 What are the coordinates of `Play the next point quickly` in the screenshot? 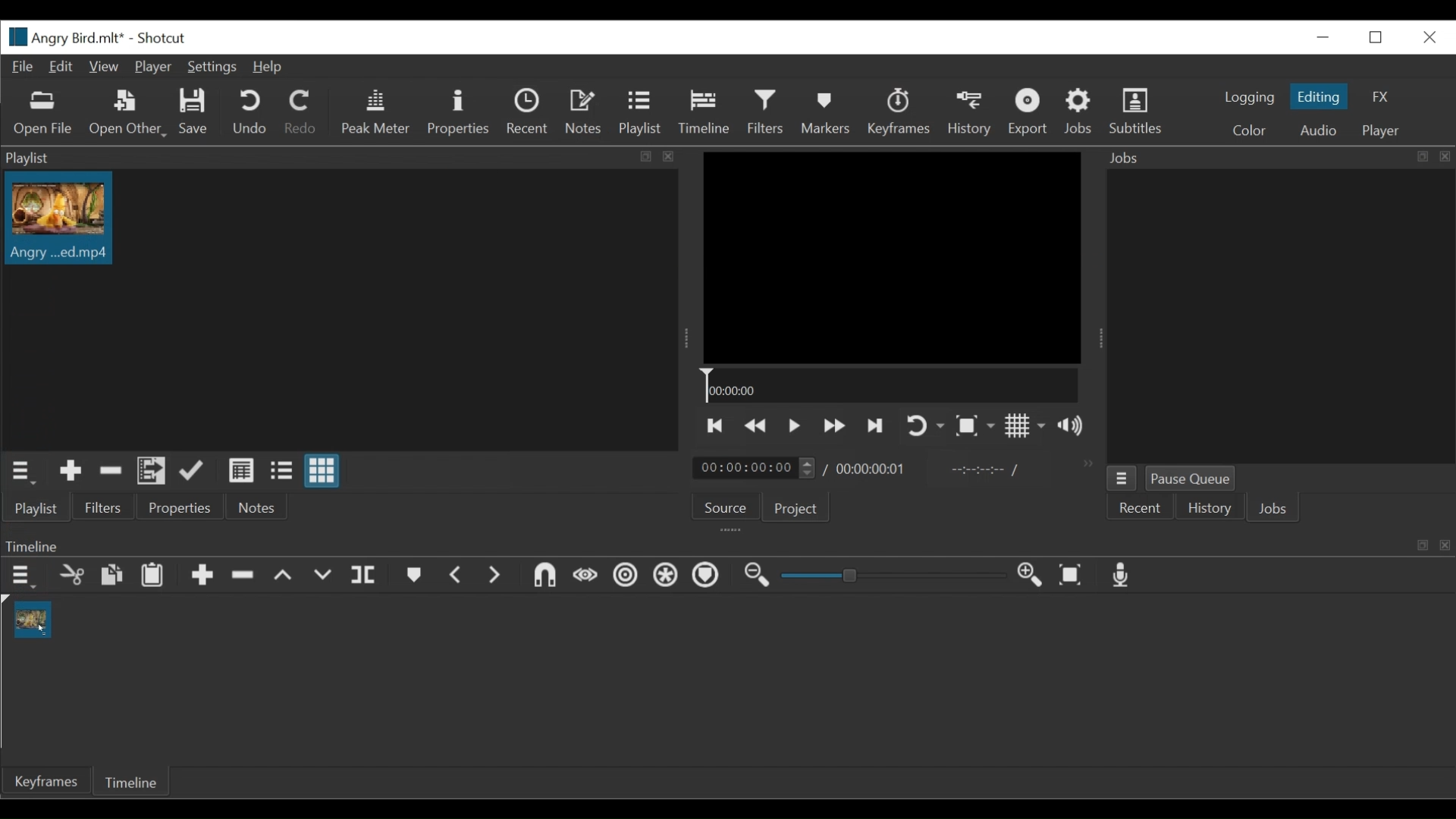 It's located at (877, 425).